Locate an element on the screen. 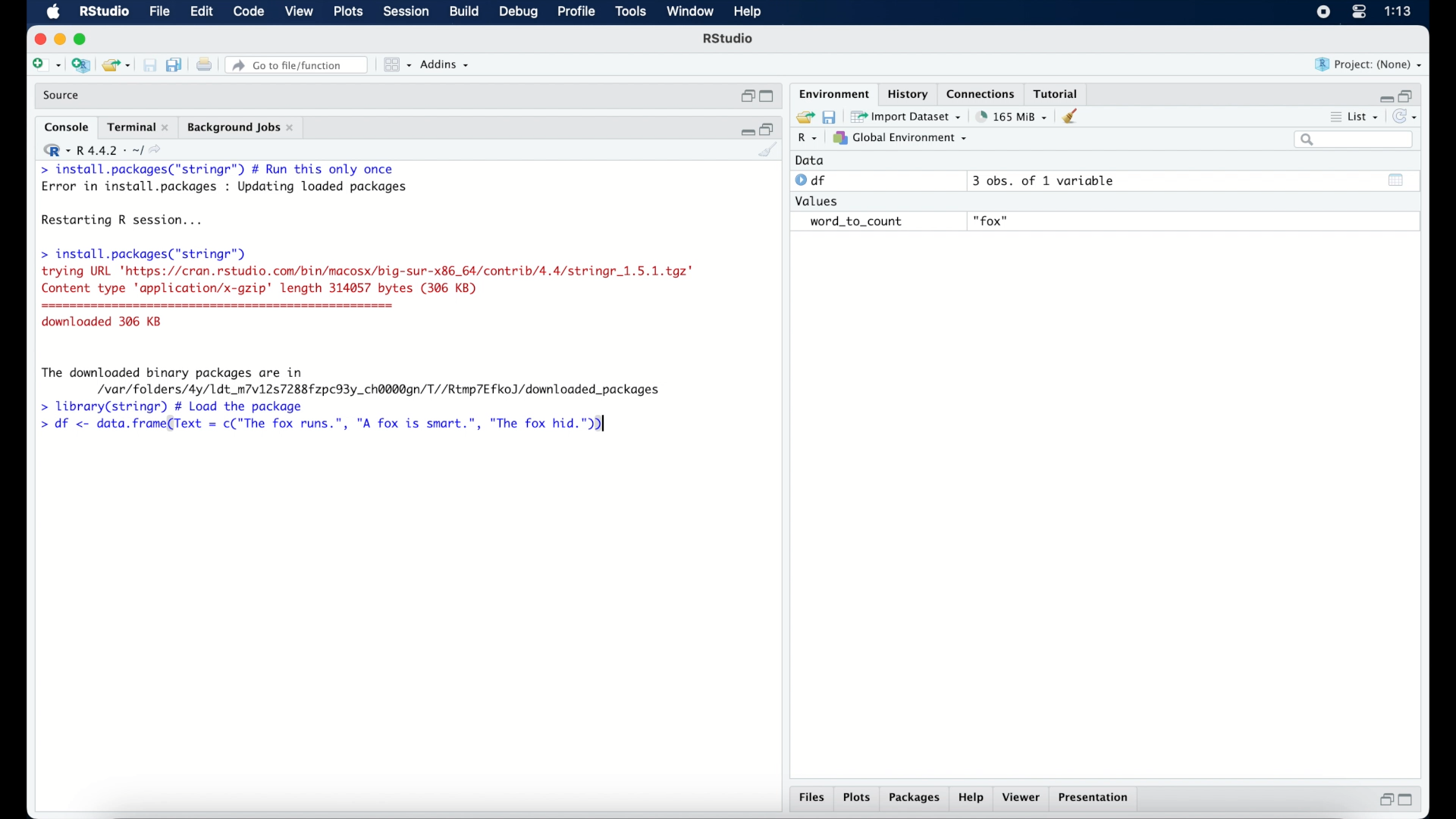 This screenshot has height=819, width=1456. Error in install.packages : Updating loaded packages is located at coordinates (224, 187).